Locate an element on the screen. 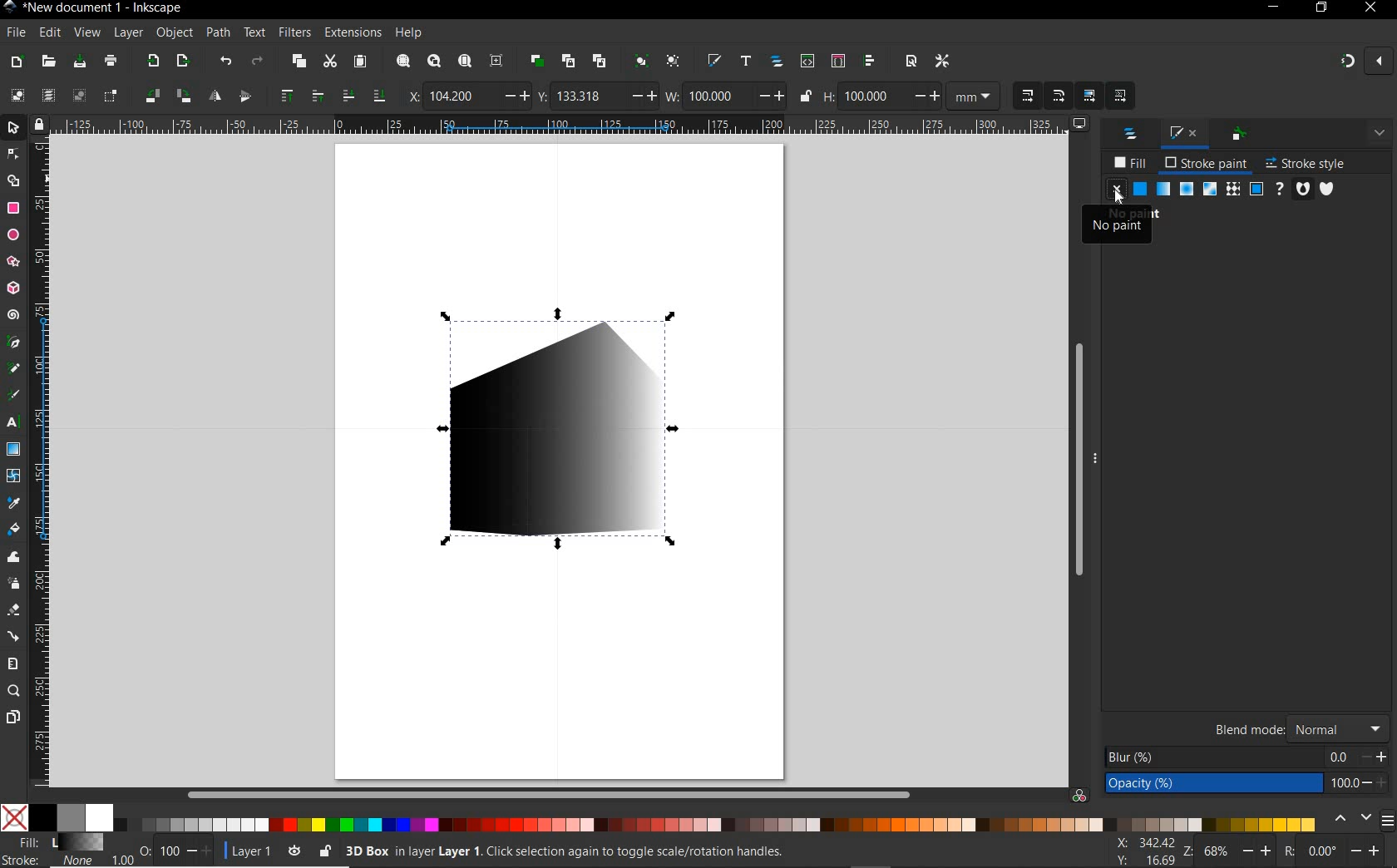 The image size is (1397, 868). SCALING is located at coordinates (1059, 96).